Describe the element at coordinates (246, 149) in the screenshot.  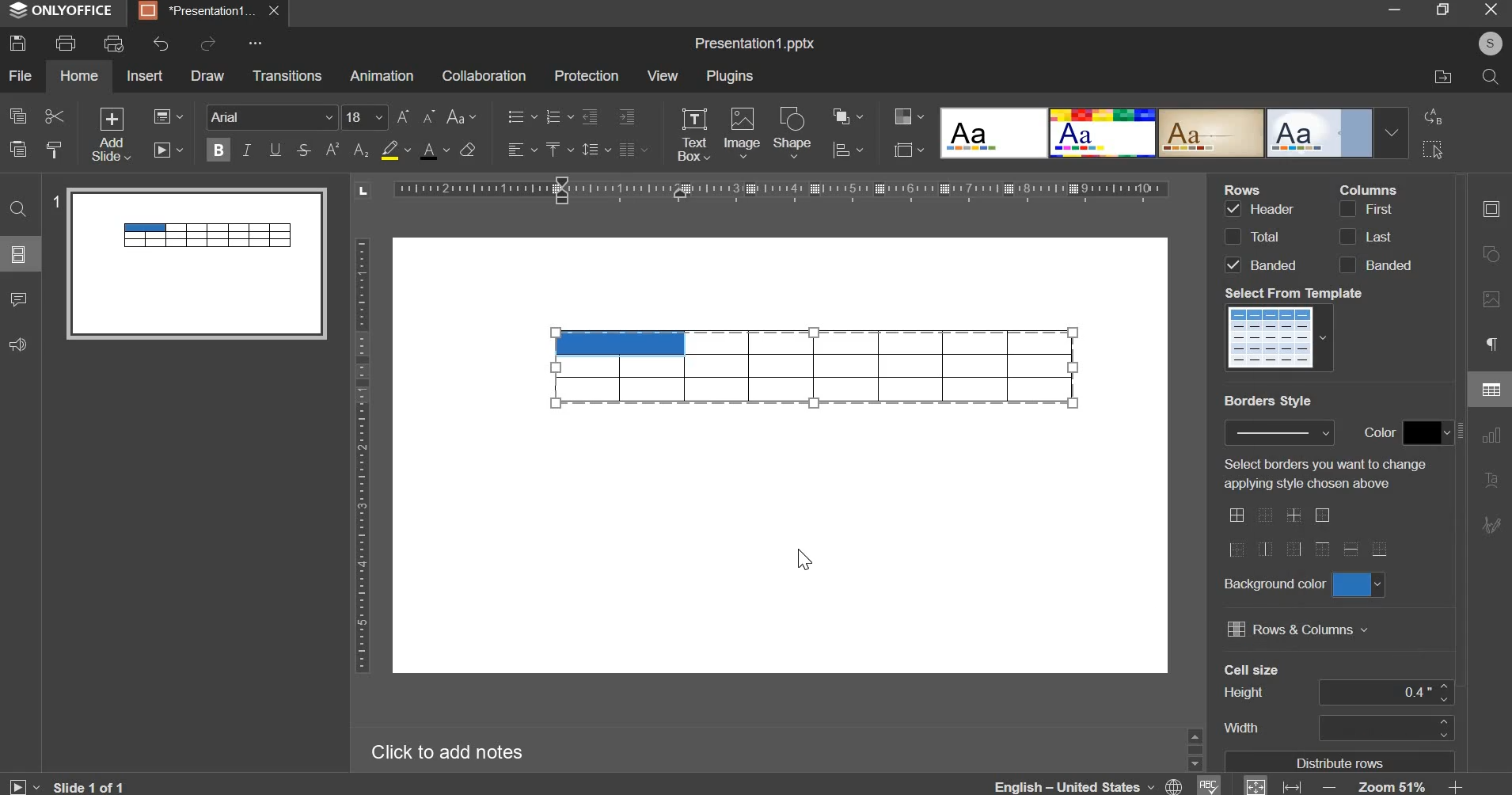
I see `italics` at that location.